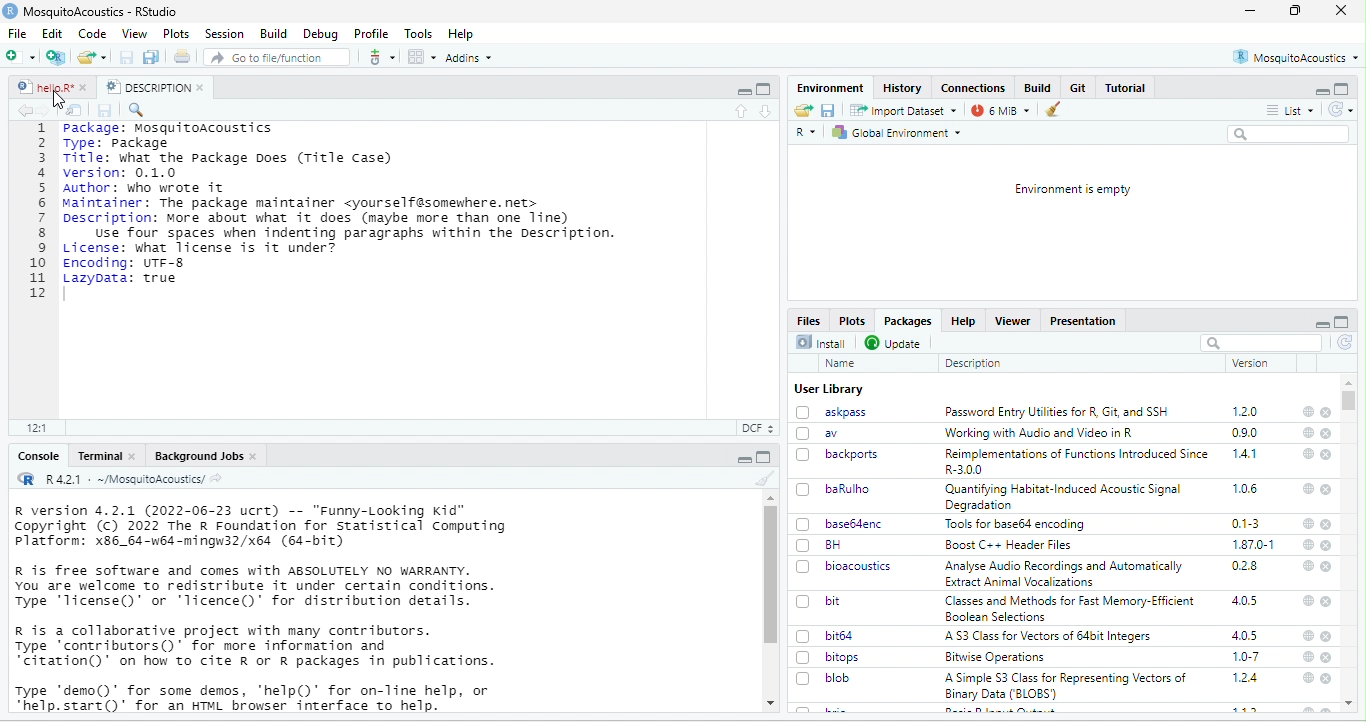 The height and width of the screenshot is (722, 1366). What do you see at coordinates (1328, 637) in the screenshot?
I see `close` at bounding box center [1328, 637].